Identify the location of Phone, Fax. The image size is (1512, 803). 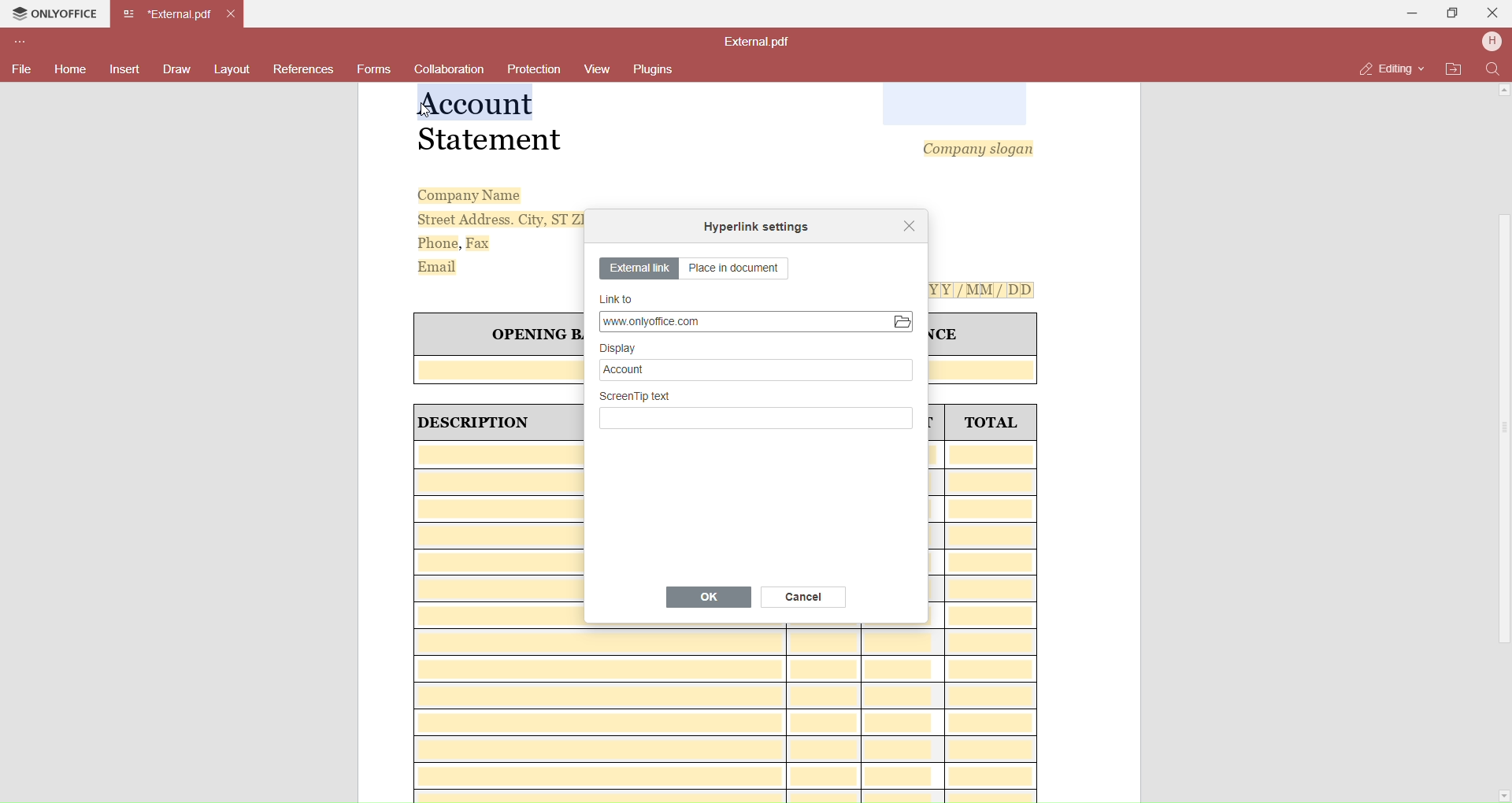
(456, 244).